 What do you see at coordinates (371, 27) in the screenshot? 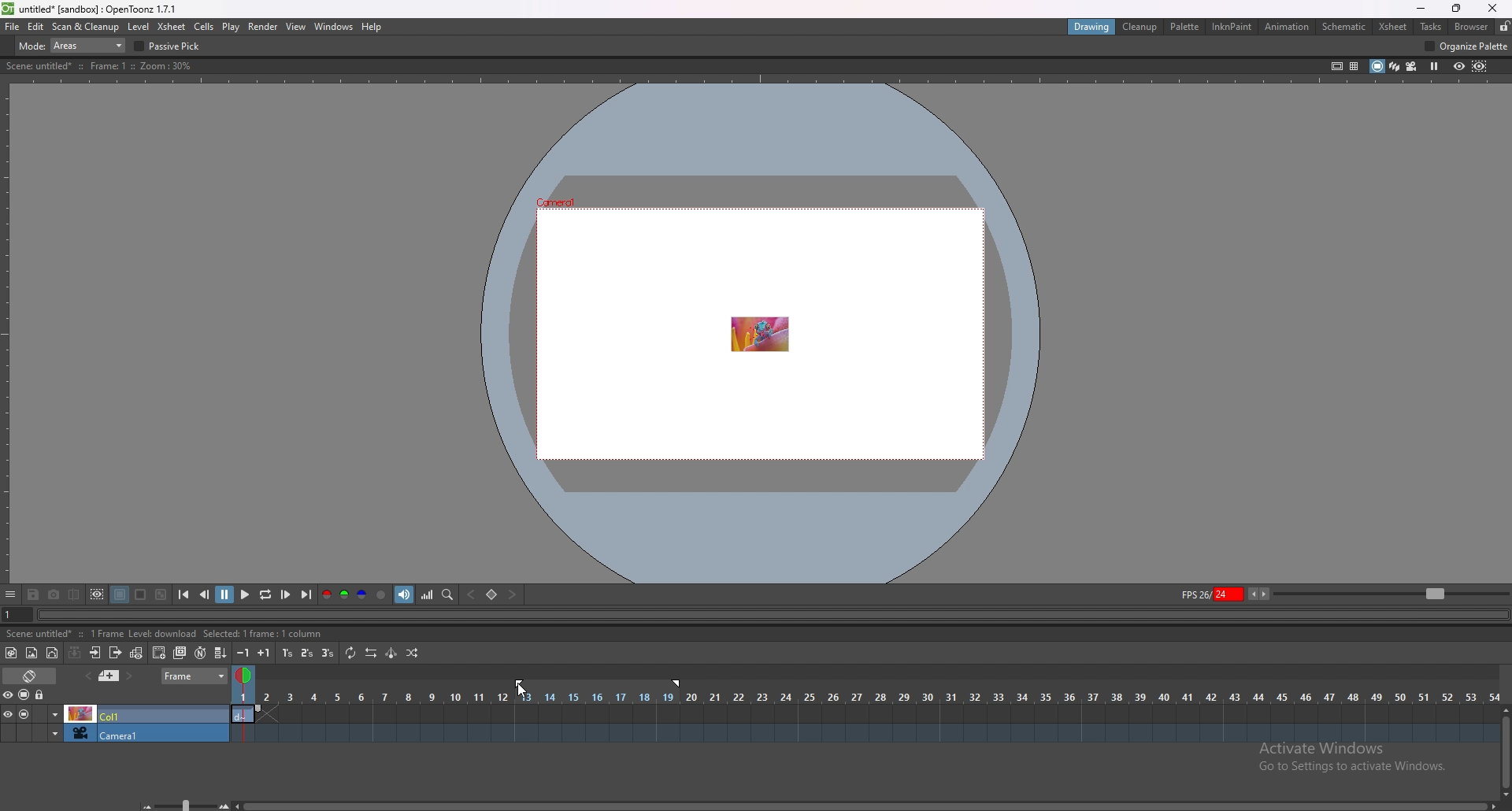
I see `help` at bounding box center [371, 27].